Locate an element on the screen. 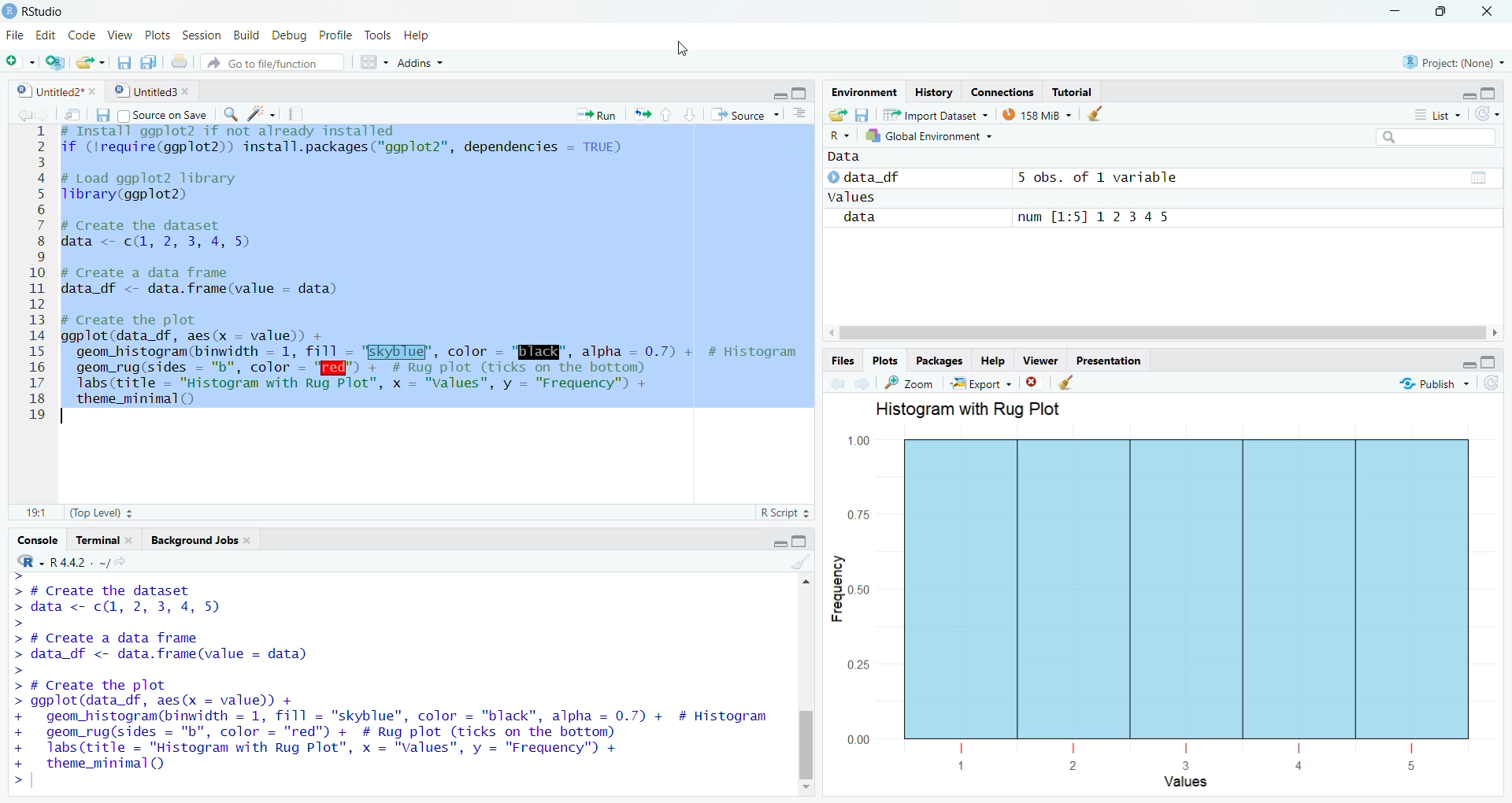 This screenshot has height=803, width=1512. Viewer is located at coordinates (1039, 359).